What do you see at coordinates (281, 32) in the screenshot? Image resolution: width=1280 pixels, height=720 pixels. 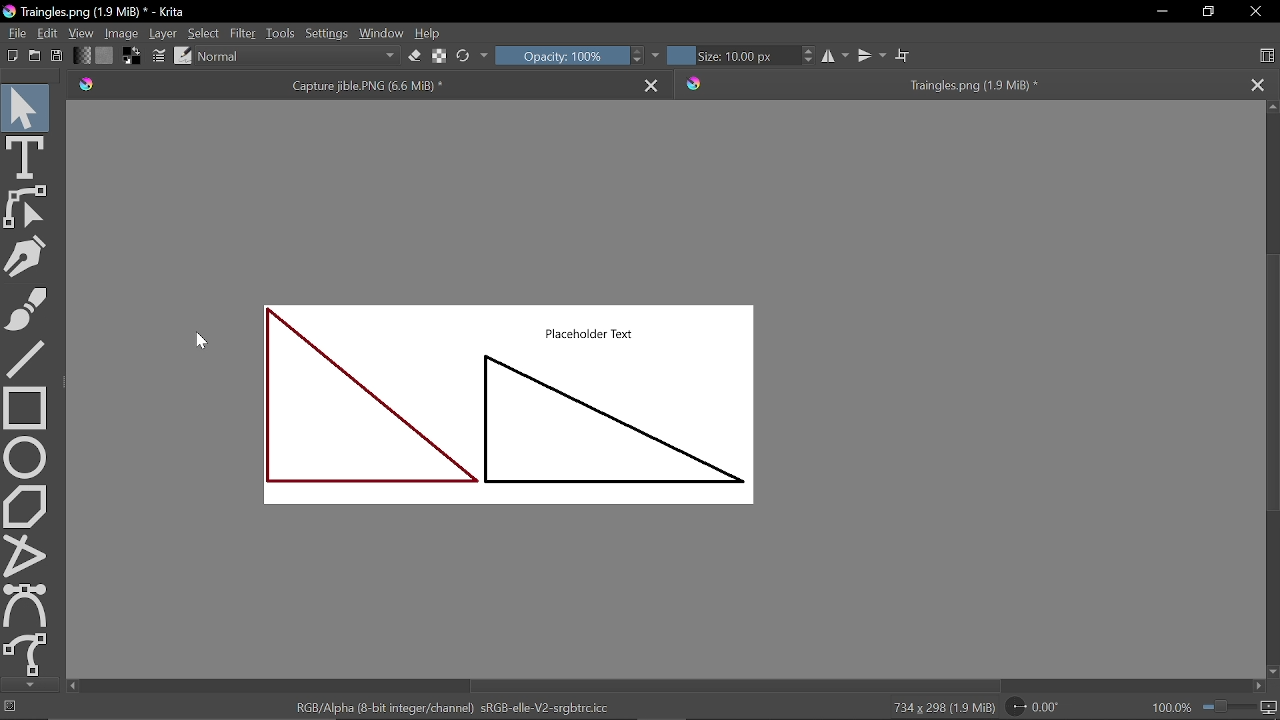 I see `Tools` at bounding box center [281, 32].